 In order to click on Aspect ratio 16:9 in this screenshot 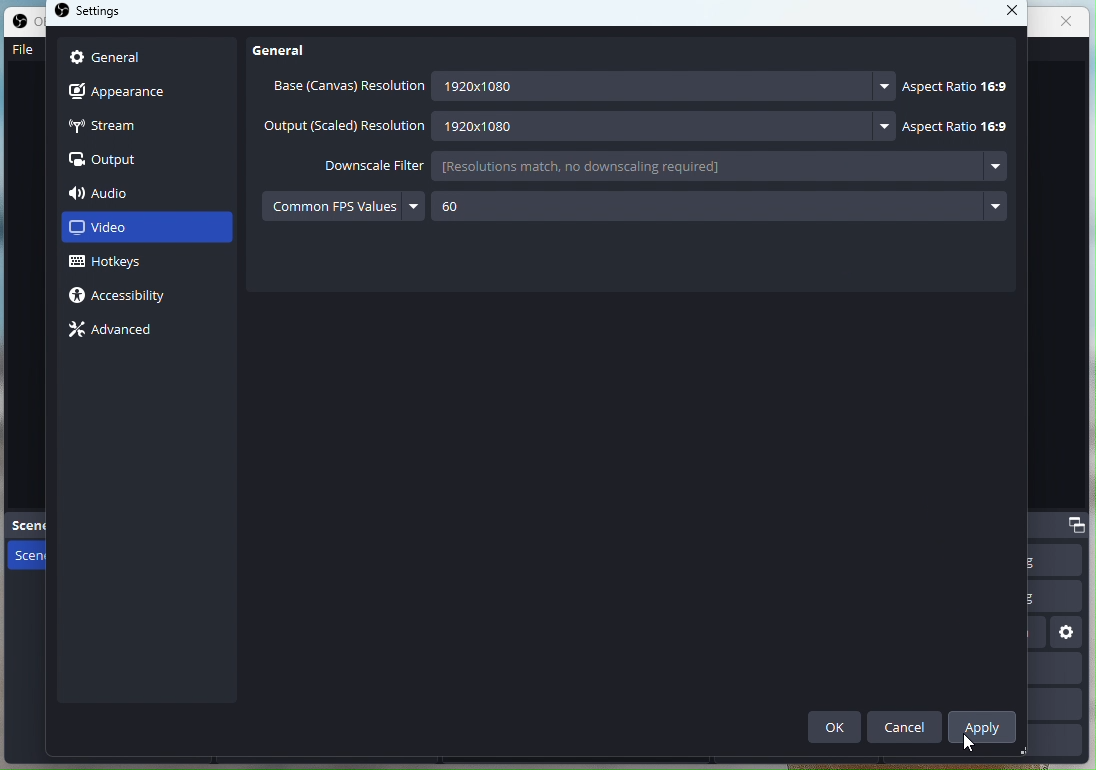, I will do `click(956, 126)`.